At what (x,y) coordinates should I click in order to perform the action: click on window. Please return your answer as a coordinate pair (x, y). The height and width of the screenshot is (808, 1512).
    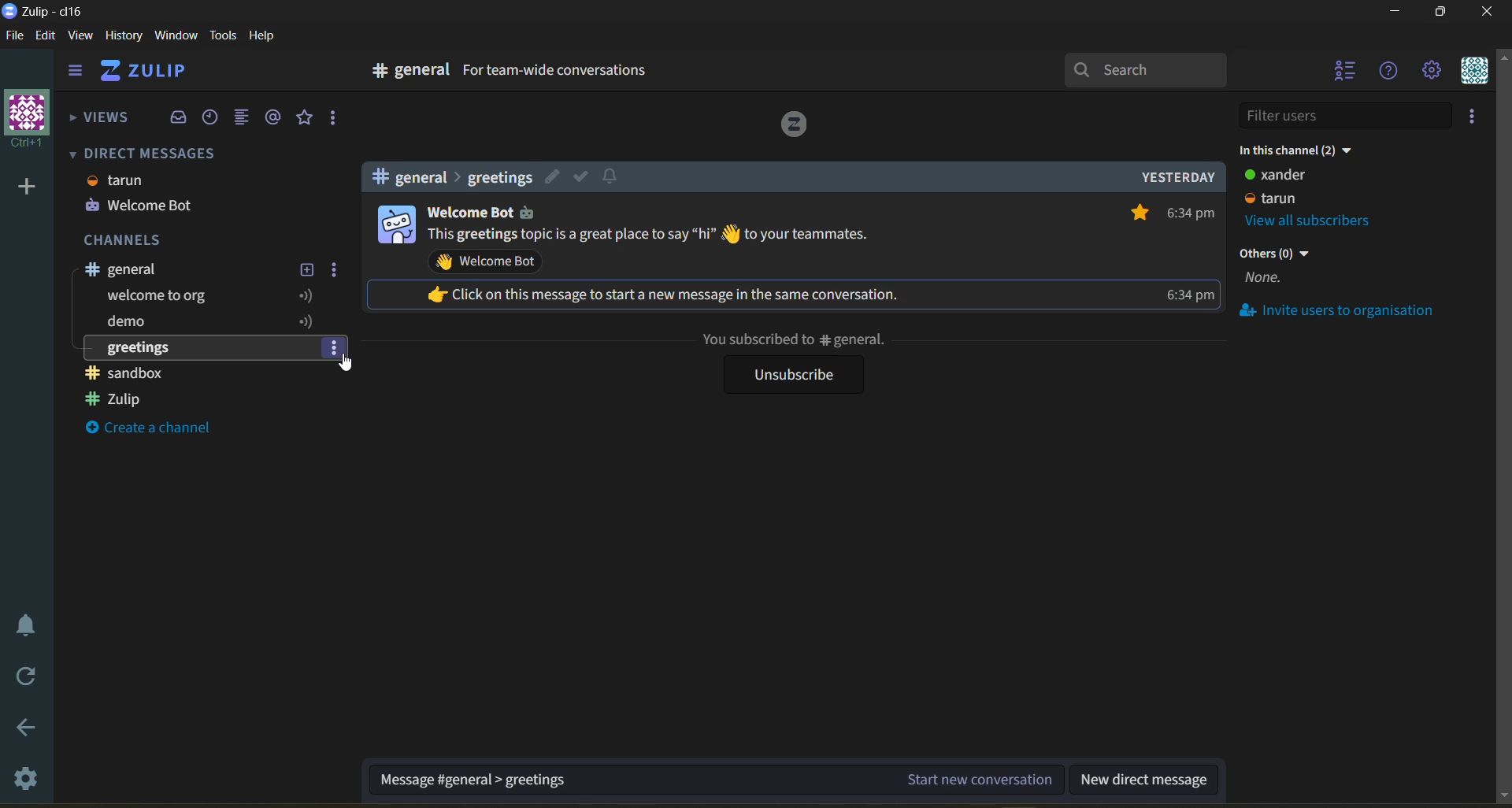
    Looking at the image, I should click on (178, 36).